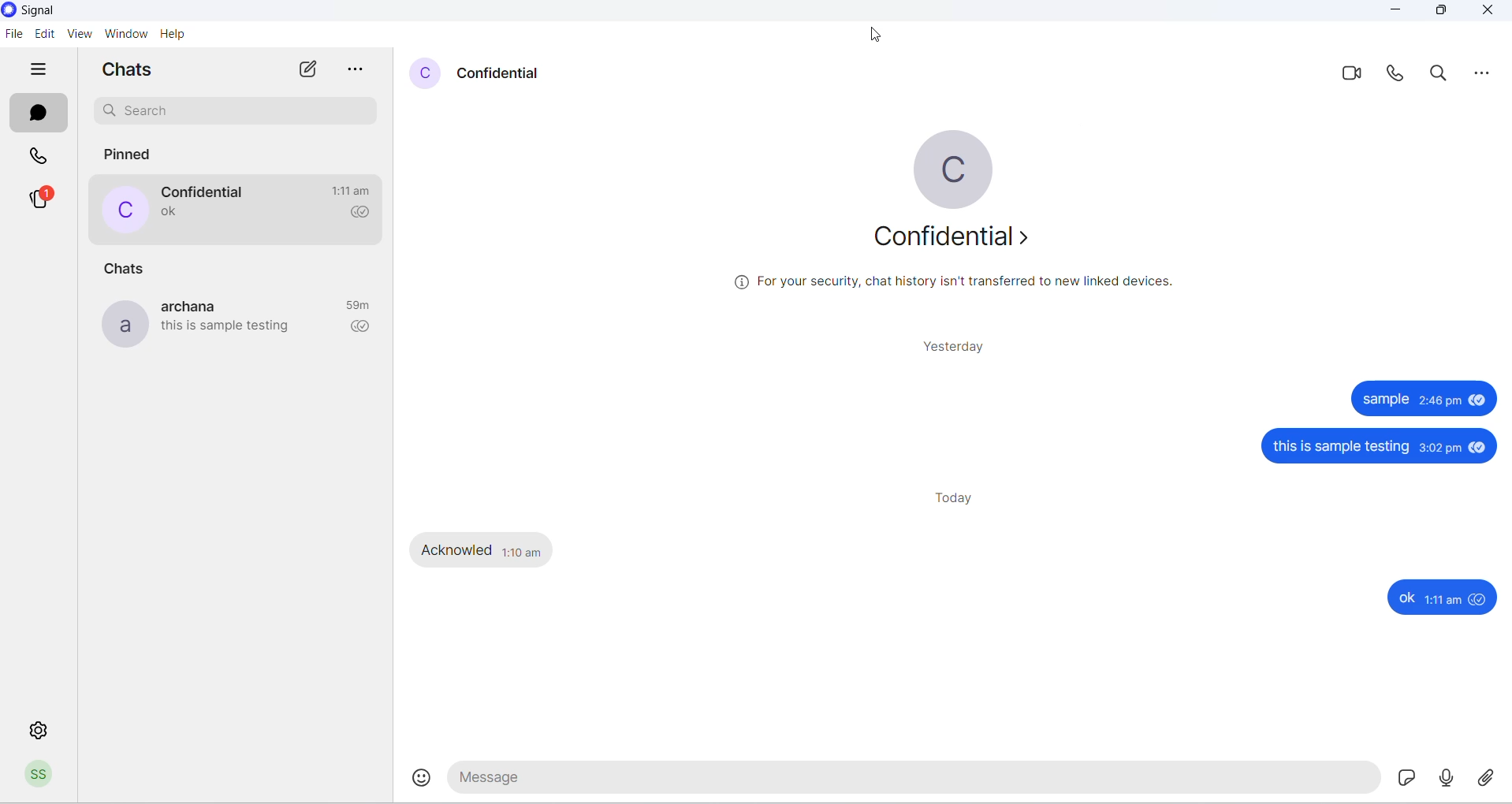 The height and width of the screenshot is (804, 1512). I want to click on 3:02 pm, so click(1441, 449).